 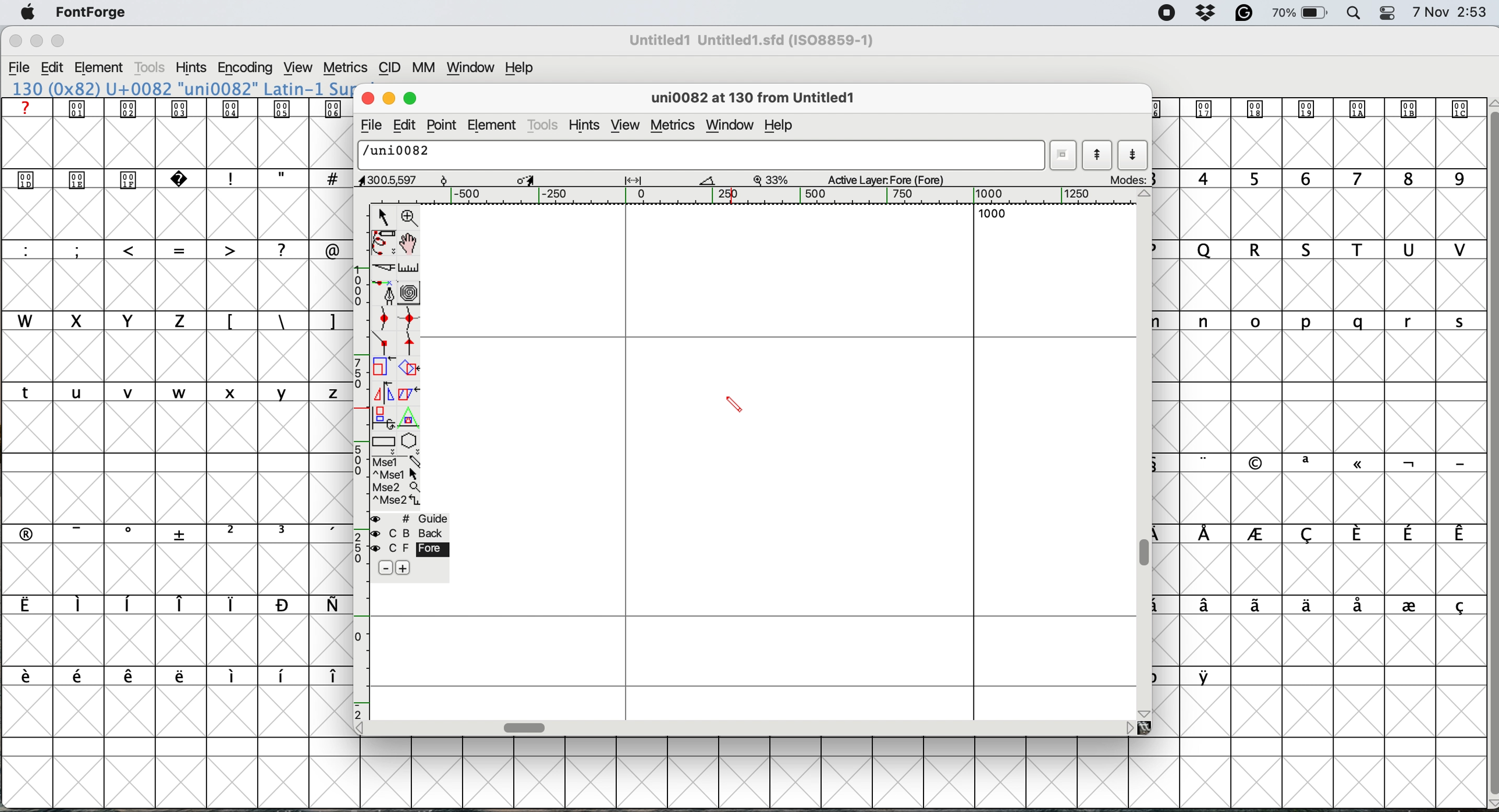 I want to click on zoom factor, so click(x=773, y=179).